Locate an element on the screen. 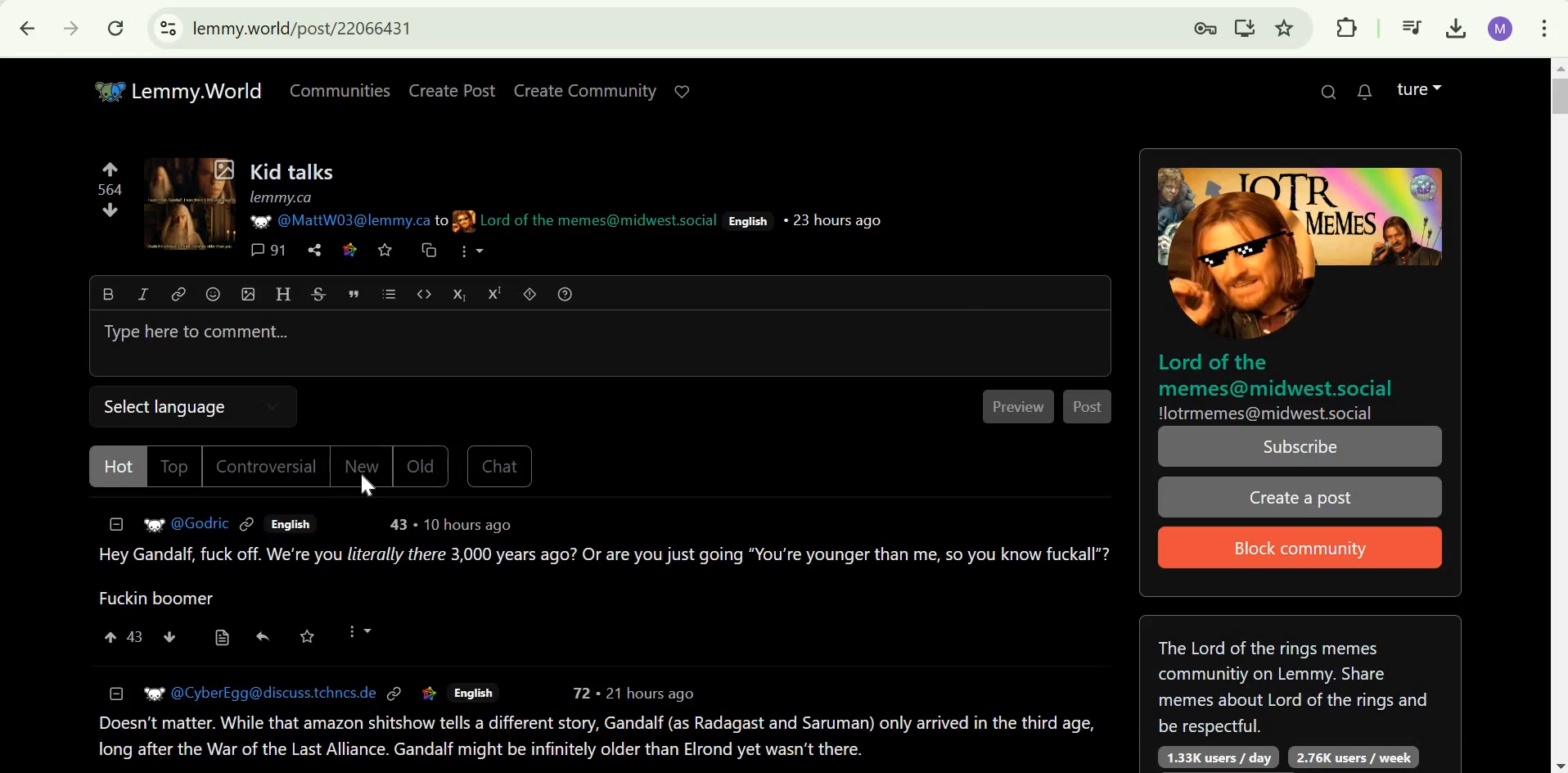 The height and width of the screenshot is (773, 1568). Subscribe is located at coordinates (1300, 447).